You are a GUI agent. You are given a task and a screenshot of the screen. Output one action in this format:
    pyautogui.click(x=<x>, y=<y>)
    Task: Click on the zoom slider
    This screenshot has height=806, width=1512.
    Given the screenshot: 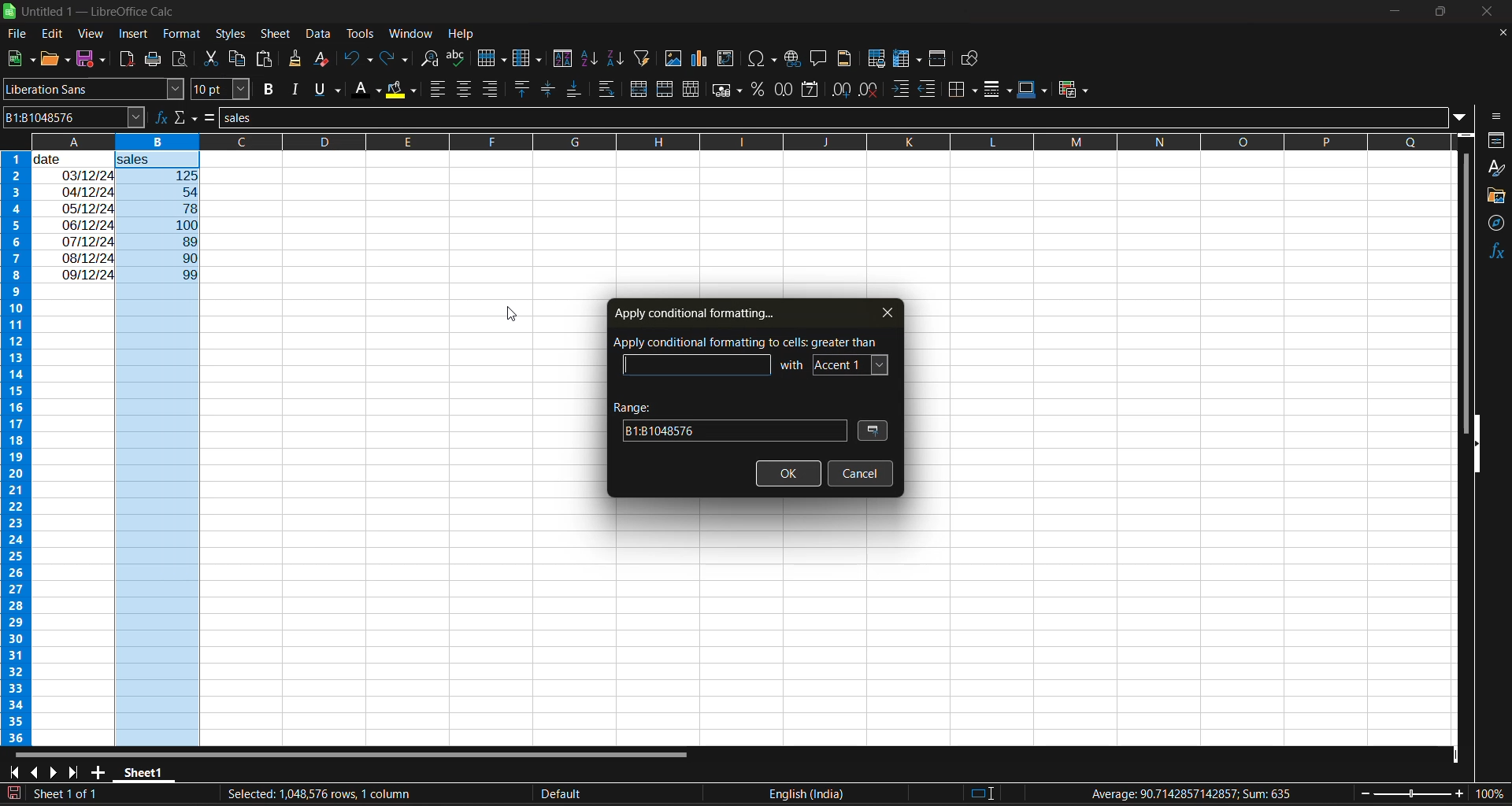 What is the action you would take?
    pyautogui.click(x=1413, y=793)
    